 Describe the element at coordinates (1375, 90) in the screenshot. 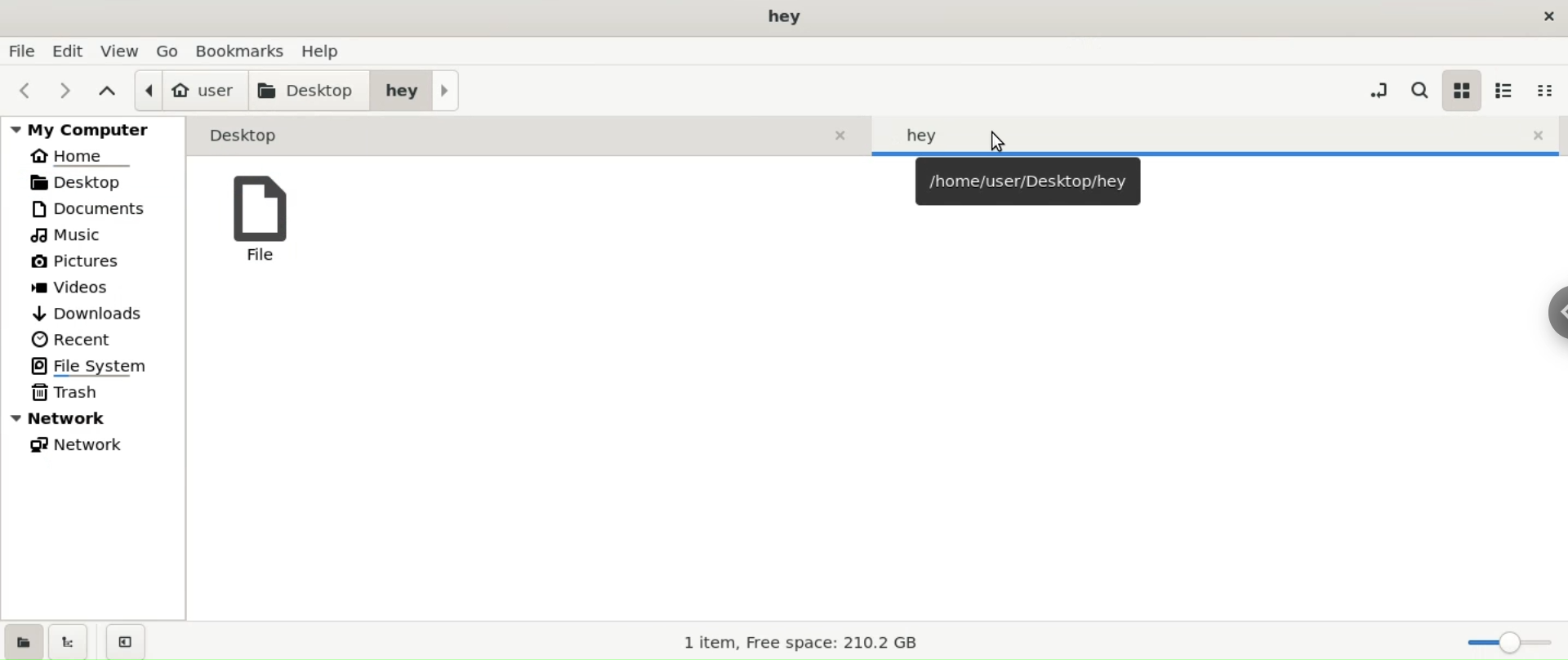

I see `toggle location entry` at that location.